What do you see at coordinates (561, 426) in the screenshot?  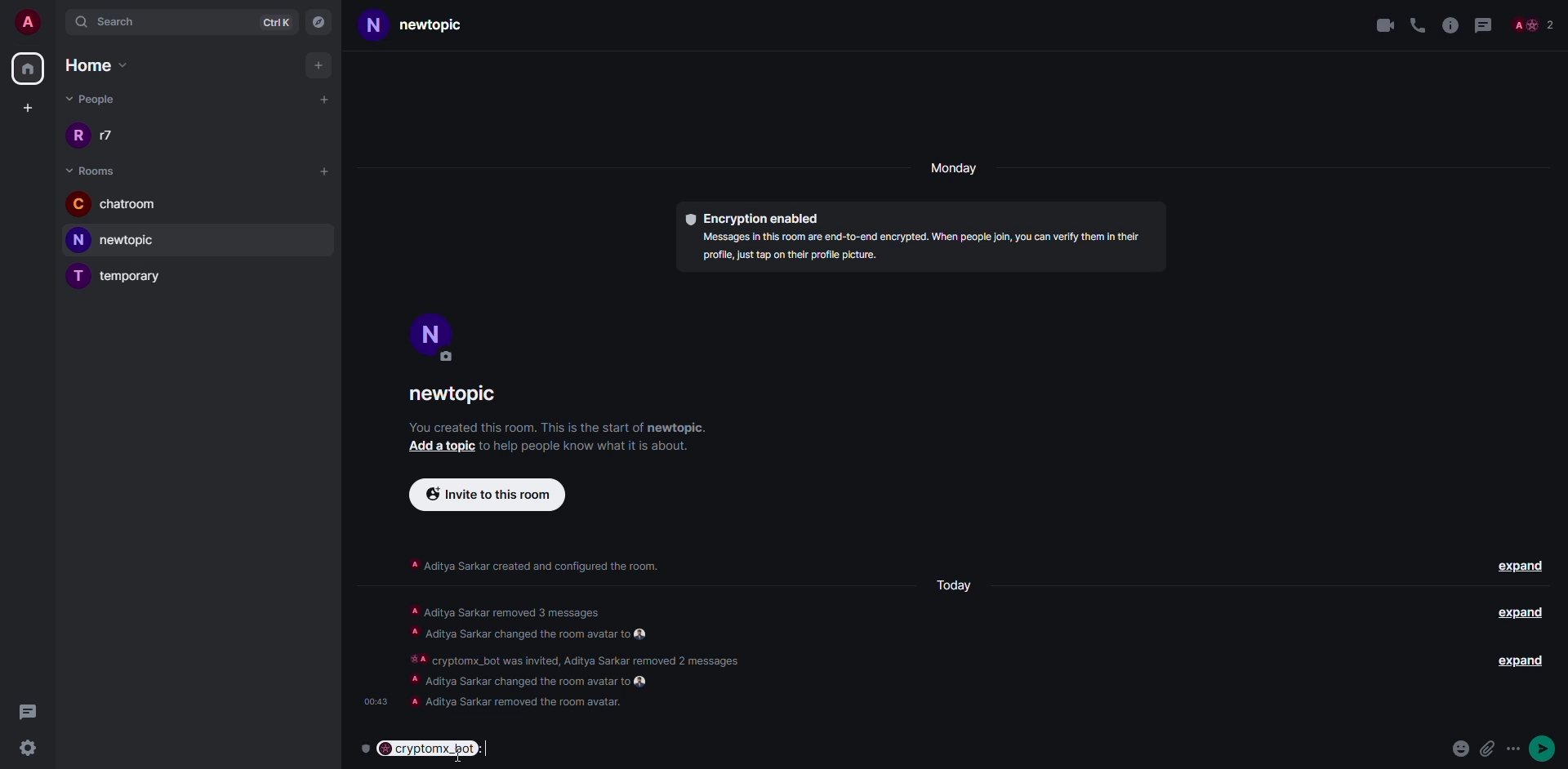 I see `You created this room. This is the start of newtopic.` at bounding box center [561, 426].